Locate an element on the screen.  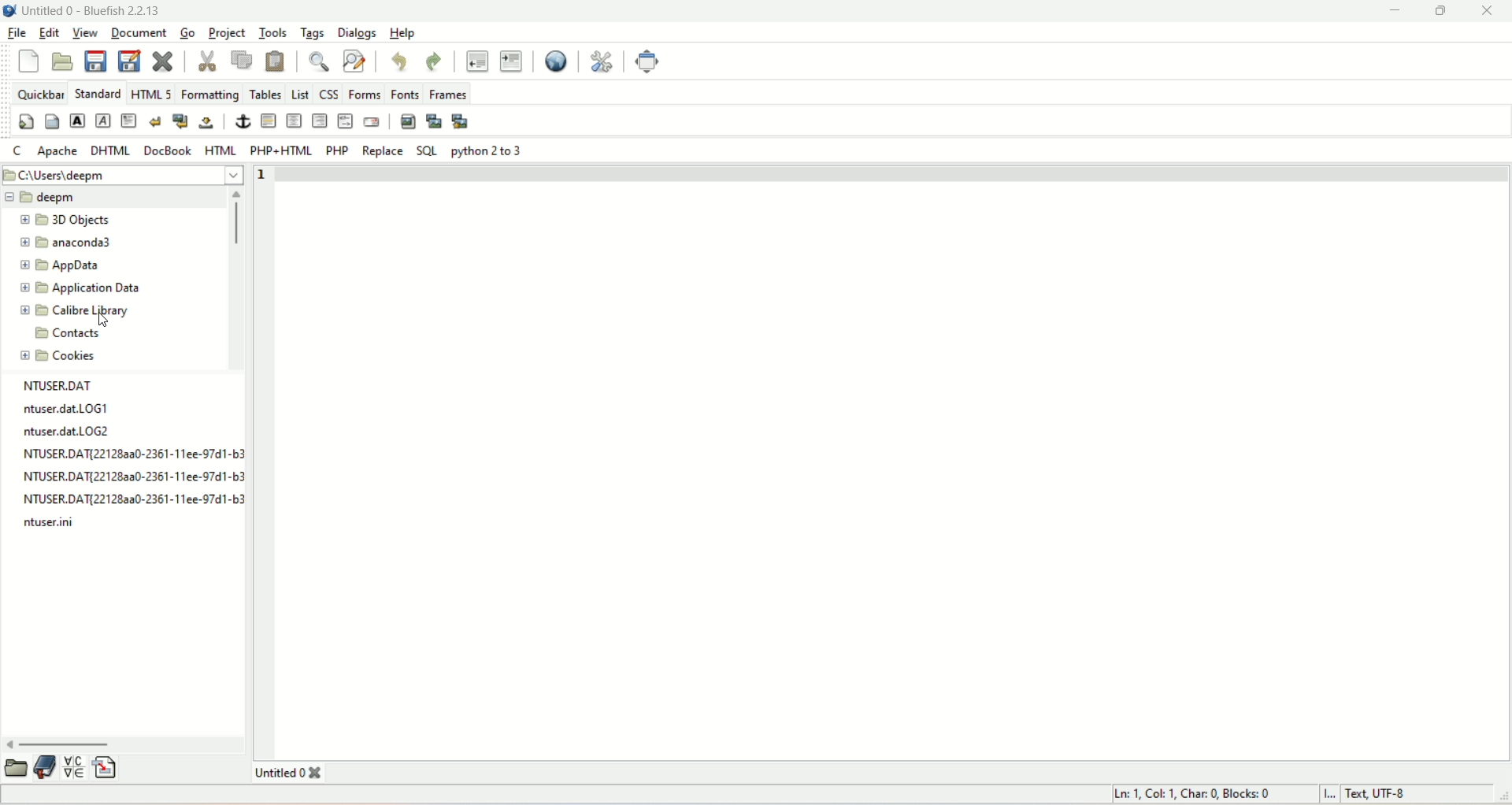
forms is located at coordinates (366, 94).